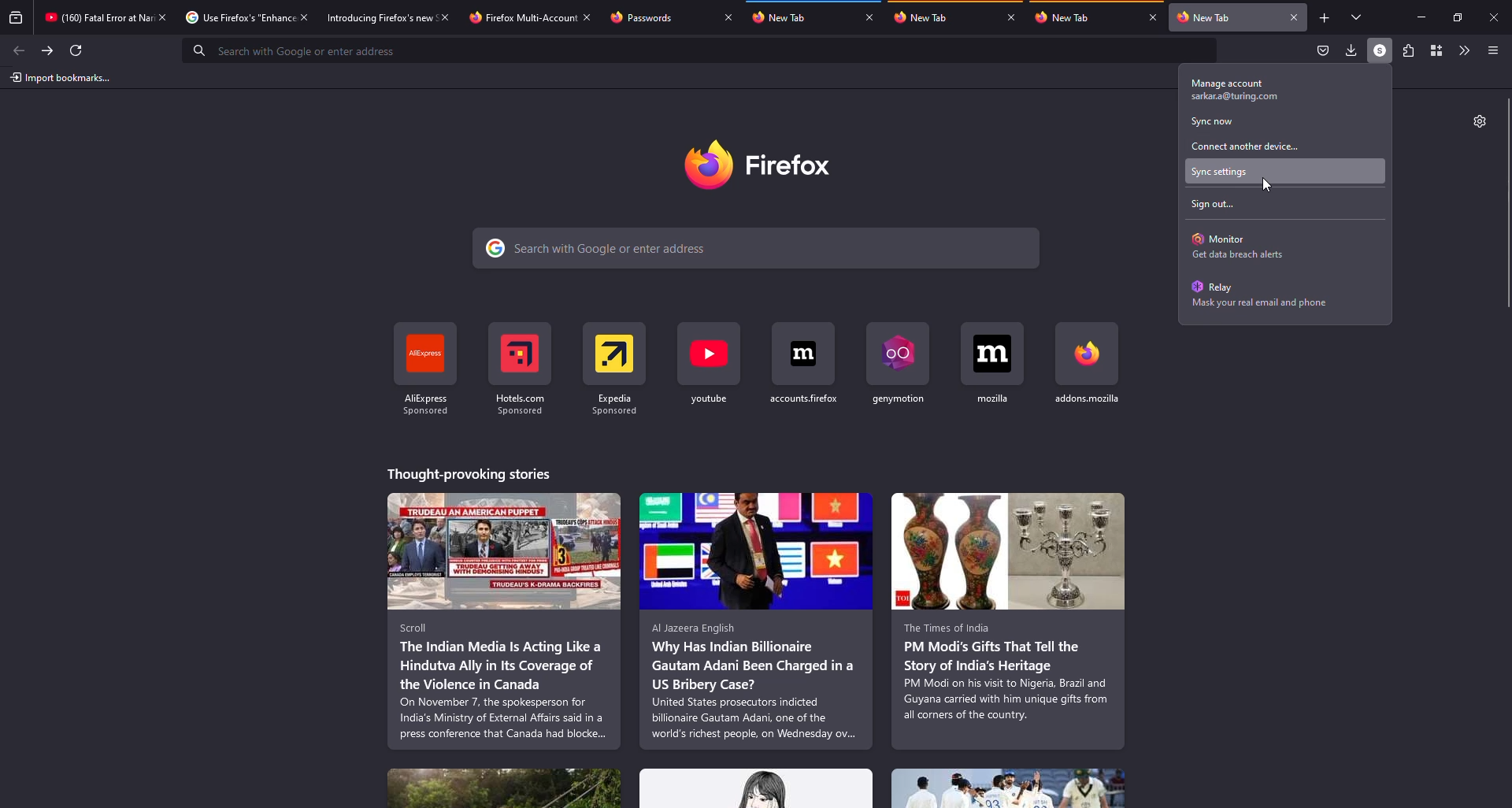 This screenshot has height=808, width=1512. Describe the element at coordinates (1010, 18) in the screenshot. I see `close` at that location.